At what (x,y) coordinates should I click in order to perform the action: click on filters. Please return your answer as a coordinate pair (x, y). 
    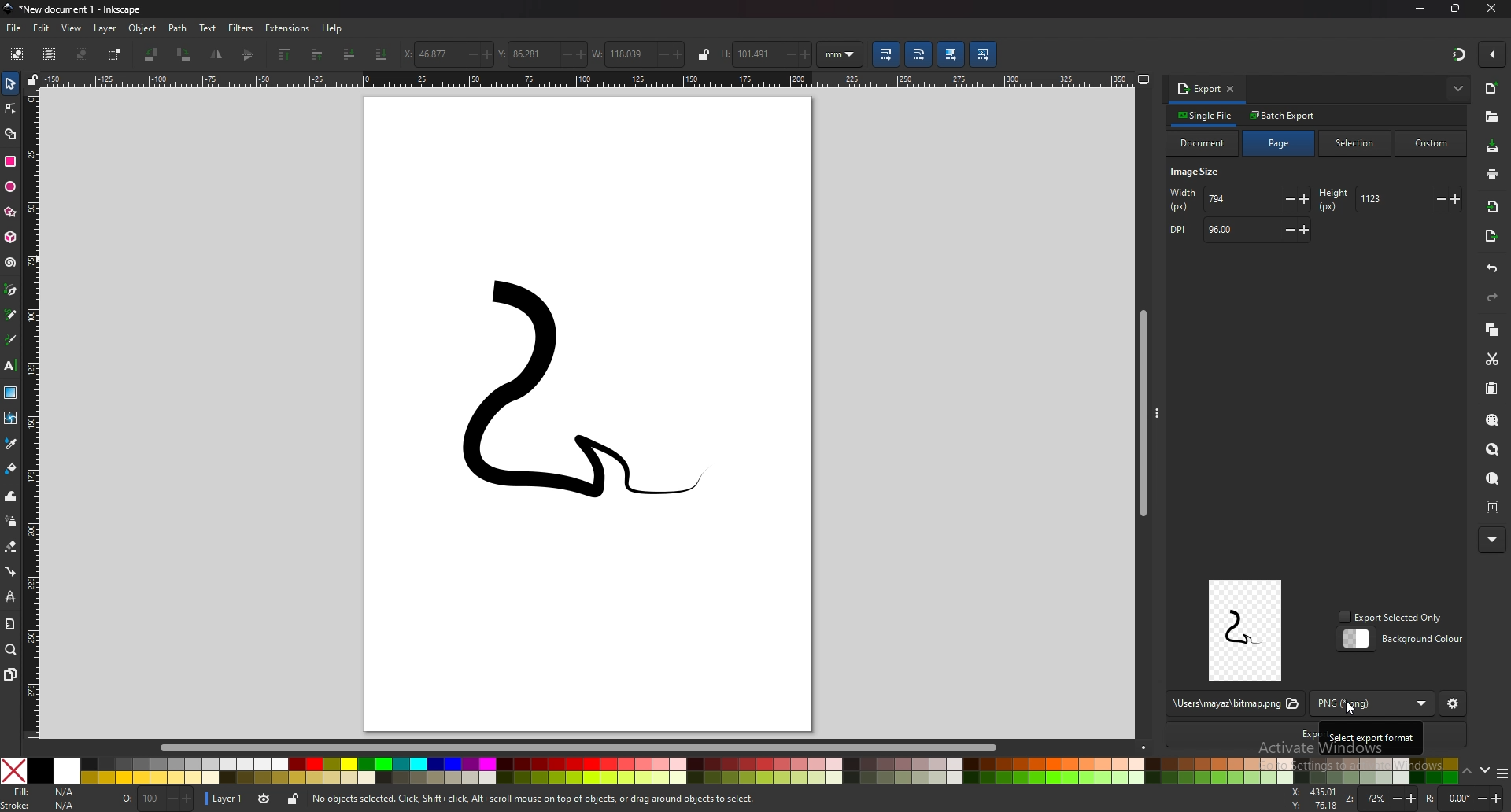
    Looking at the image, I should click on (242, 28).